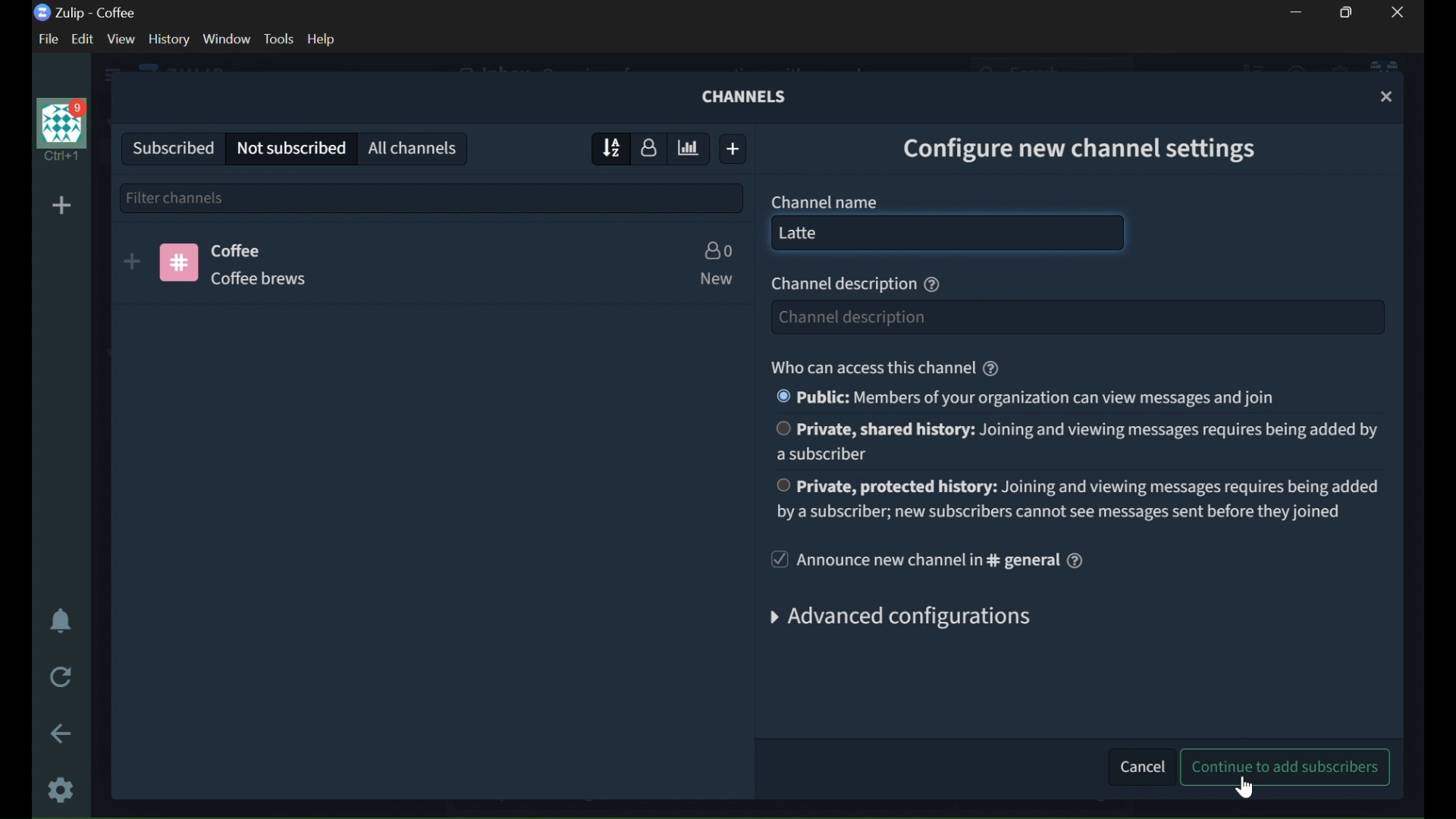  Describe the element at coordinates (714, 279) in the screenshot. I see `NEW` at that location.